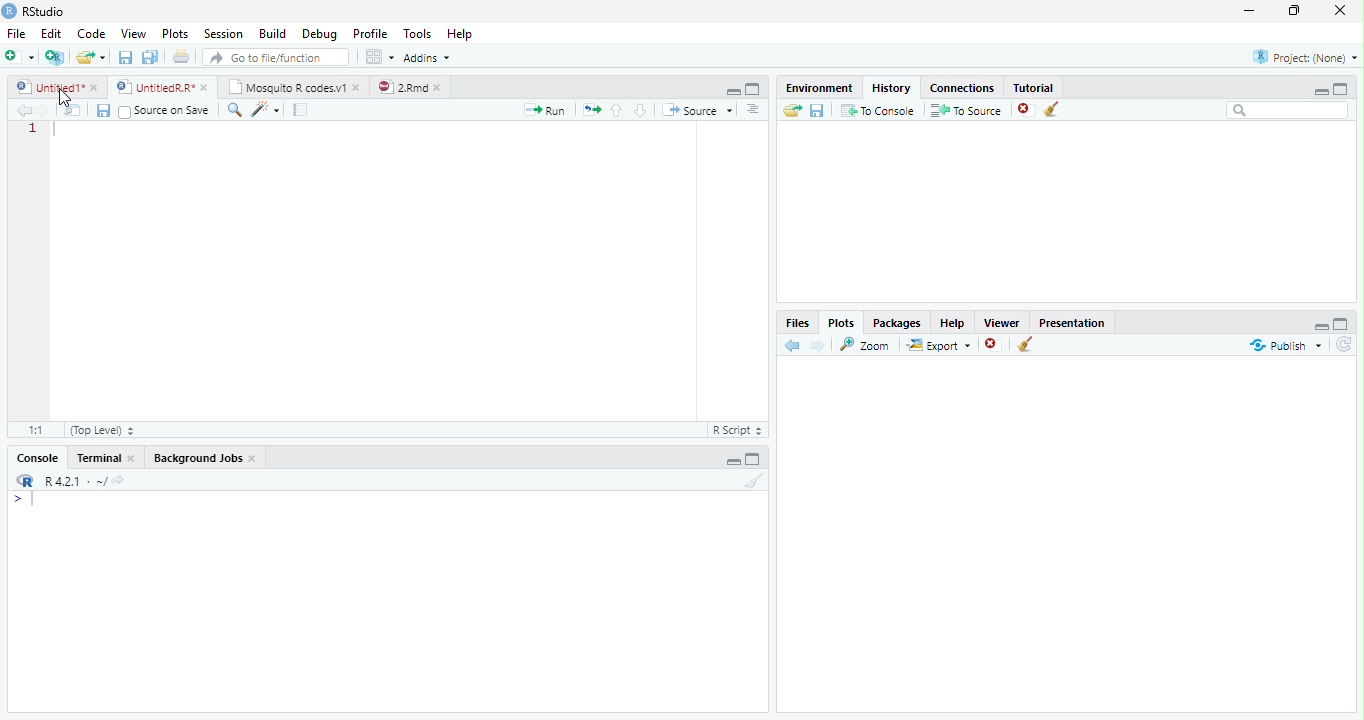 This screenshot has width=1364, height=720. Describe the element at coordinates (1301, 58) in the screenshot. I see `Project: (None)` at that location.